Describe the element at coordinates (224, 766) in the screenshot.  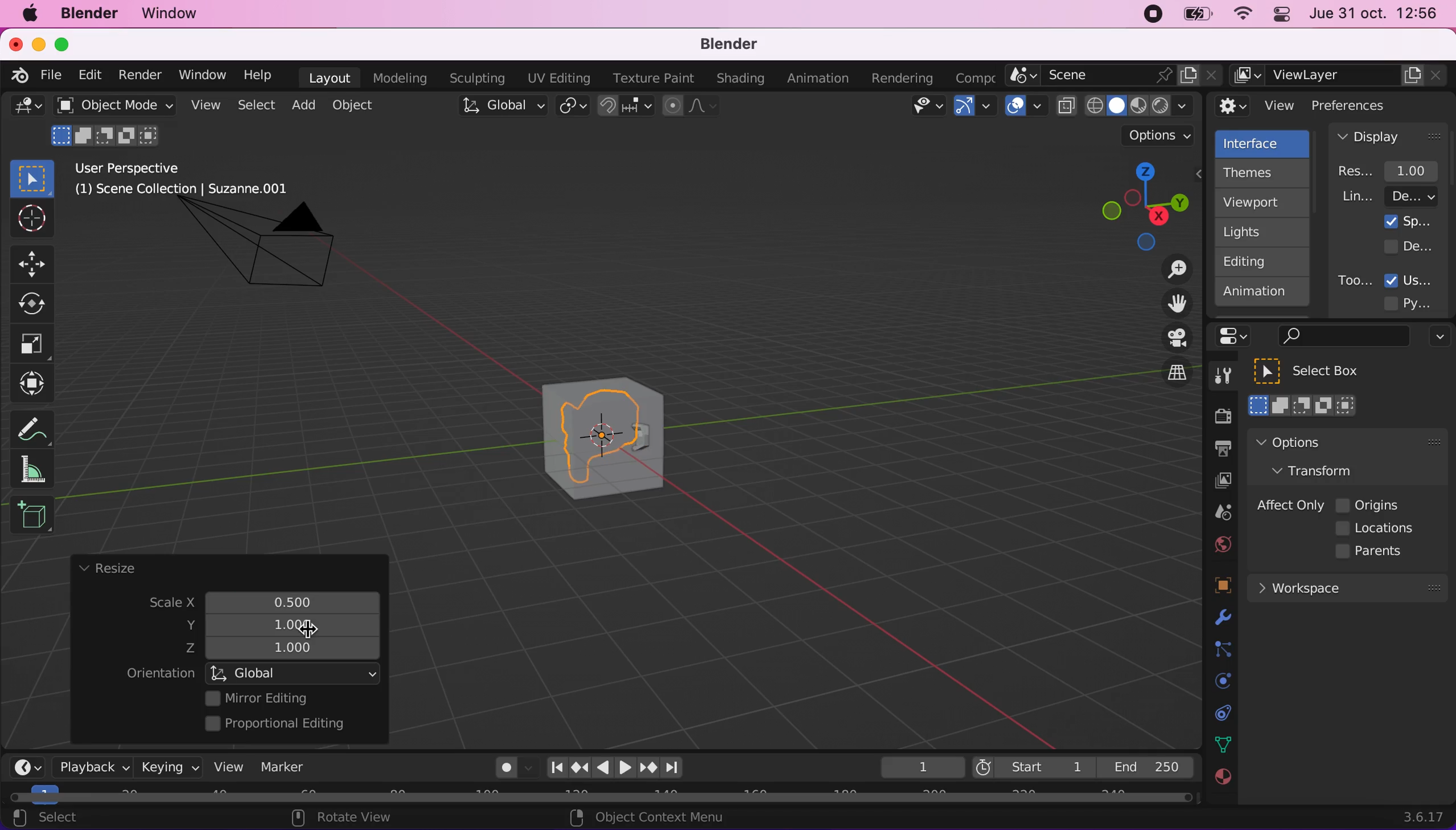
I see `view` at that location.